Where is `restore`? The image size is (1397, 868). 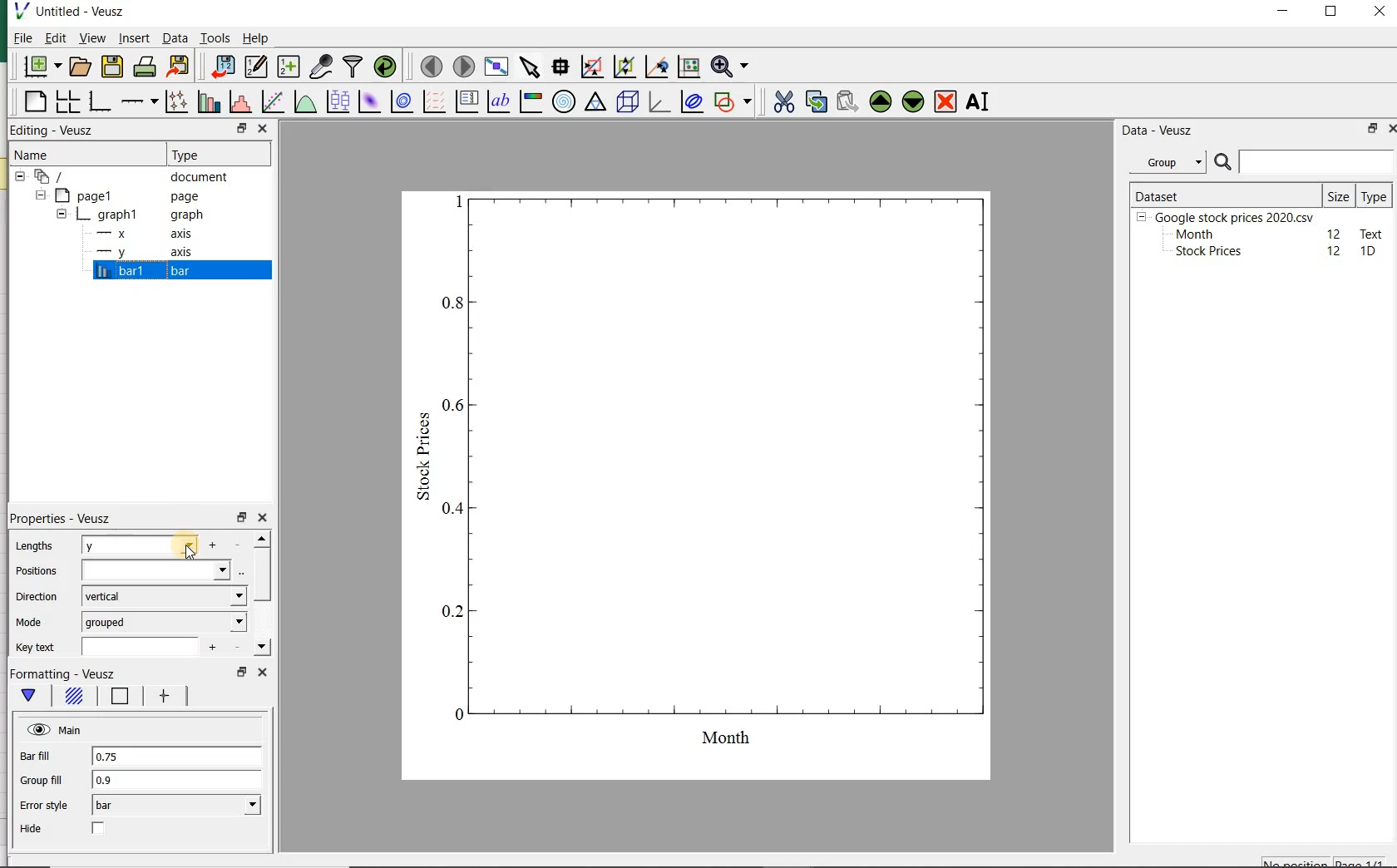
restore is located at coordinates (1370, 130).